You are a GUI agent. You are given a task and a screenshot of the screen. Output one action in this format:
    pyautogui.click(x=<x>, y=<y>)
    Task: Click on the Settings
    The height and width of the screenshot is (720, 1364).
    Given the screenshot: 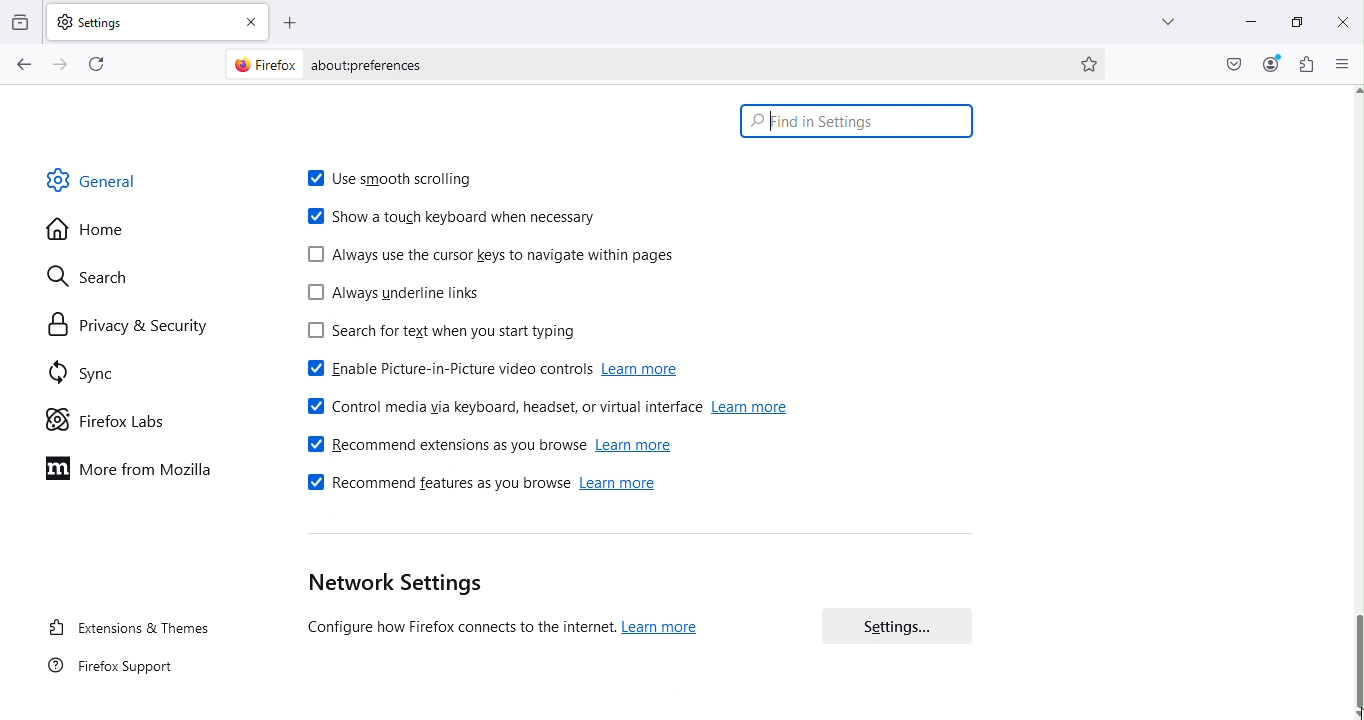 What is the action you would take?
    pyautogui.click(x=896, y=626)
    